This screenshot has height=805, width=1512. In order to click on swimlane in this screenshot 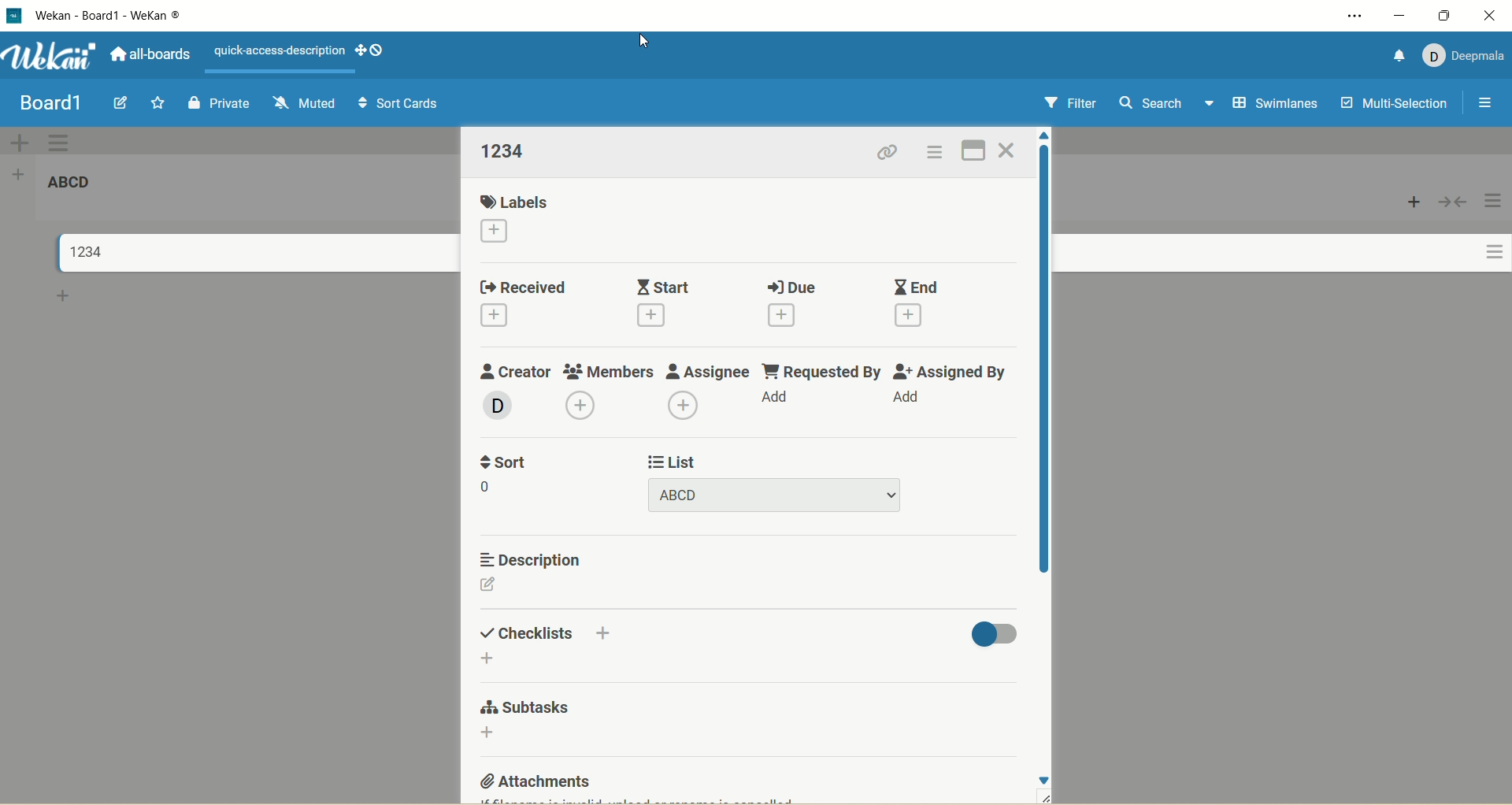, I will do `click(1277, 102)`.